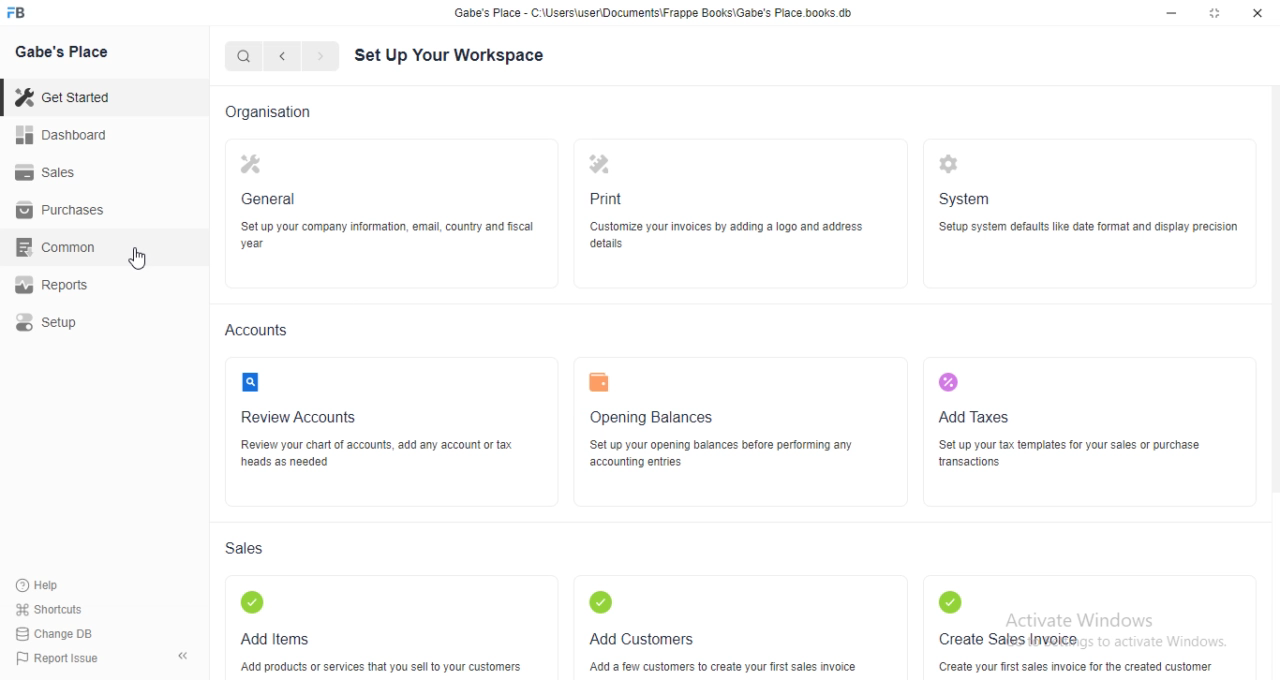  Describe the element at coordinates (975, 398) in the screenshot. I see `‘Add Taxes` at that location.